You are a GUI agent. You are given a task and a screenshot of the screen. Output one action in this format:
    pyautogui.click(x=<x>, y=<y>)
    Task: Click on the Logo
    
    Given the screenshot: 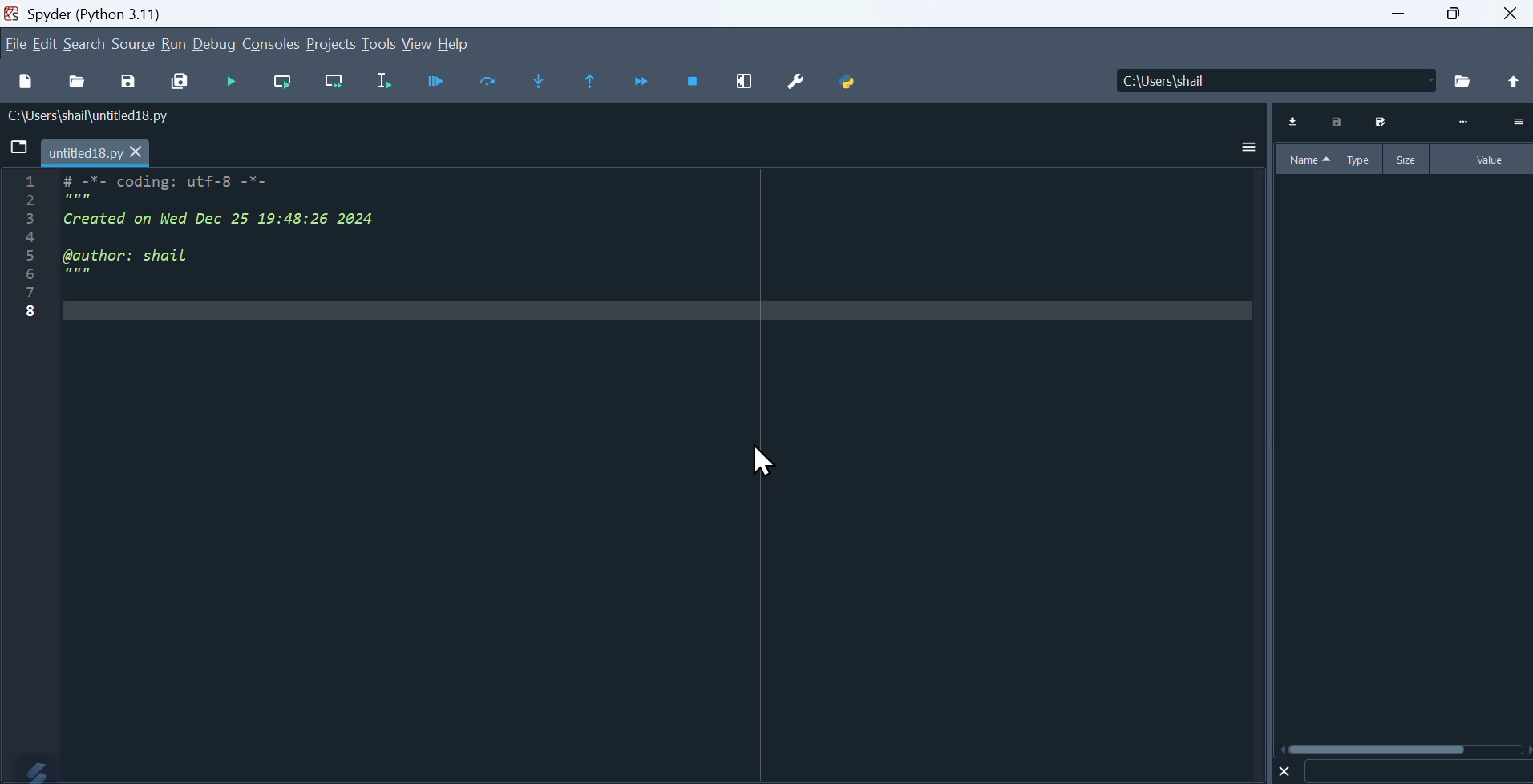 What is the action you would take?
    pyautogui.click(x=30, y=769)
    